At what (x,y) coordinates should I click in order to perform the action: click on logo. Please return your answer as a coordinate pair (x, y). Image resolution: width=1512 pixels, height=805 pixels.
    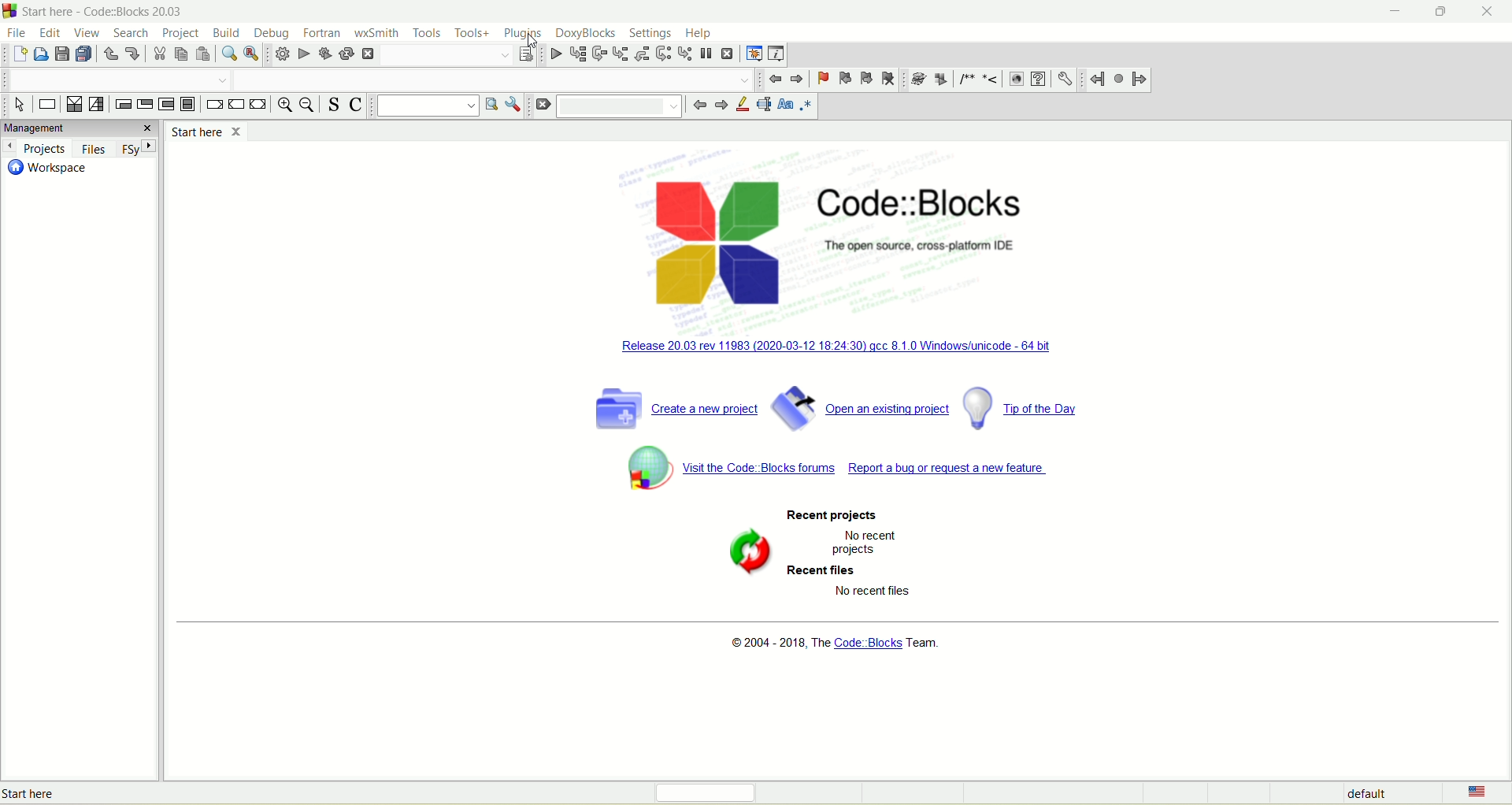
    Looking at the image, I should click on (710, 242).